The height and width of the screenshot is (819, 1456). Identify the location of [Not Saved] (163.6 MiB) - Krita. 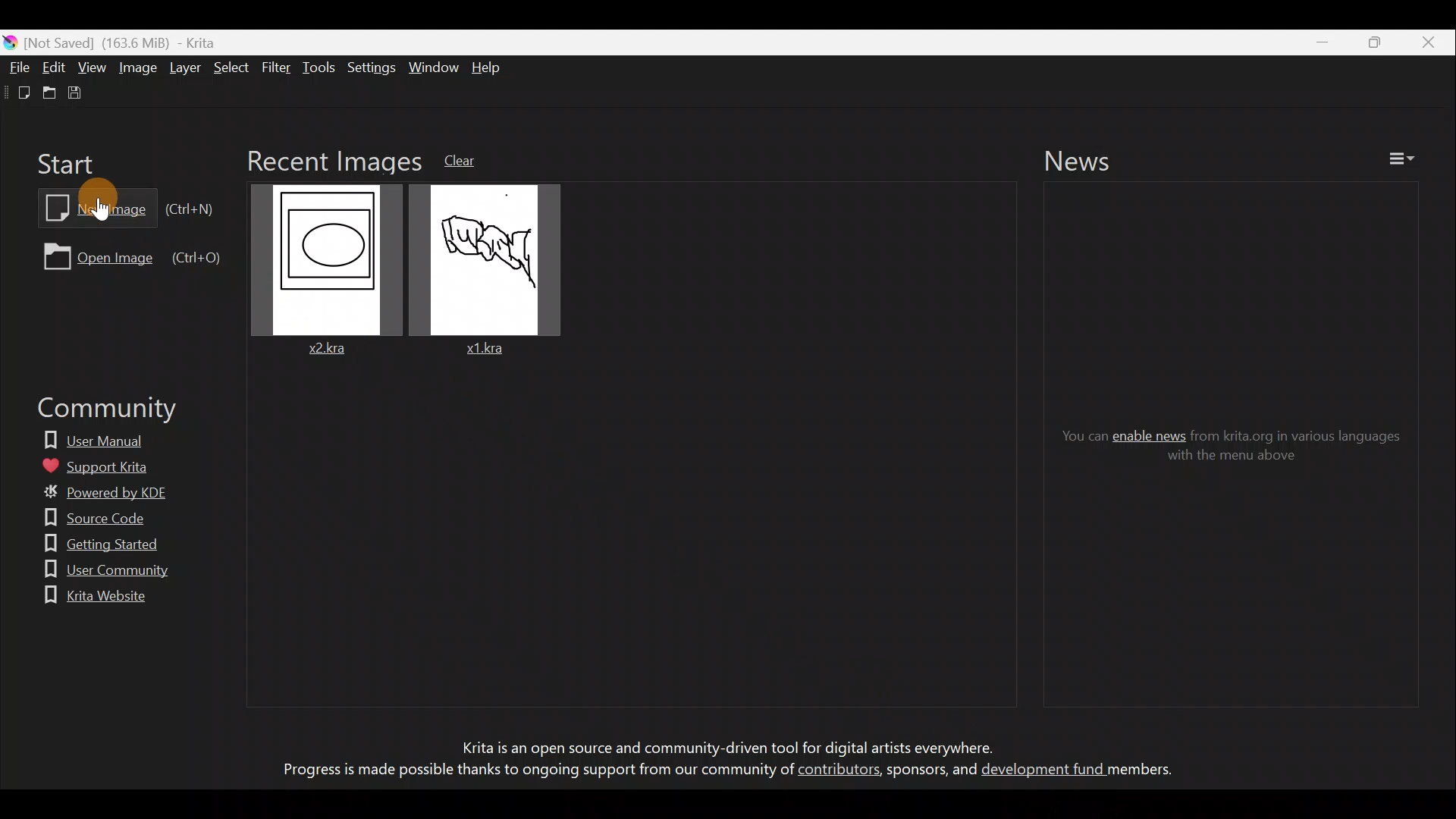
(129, 42).